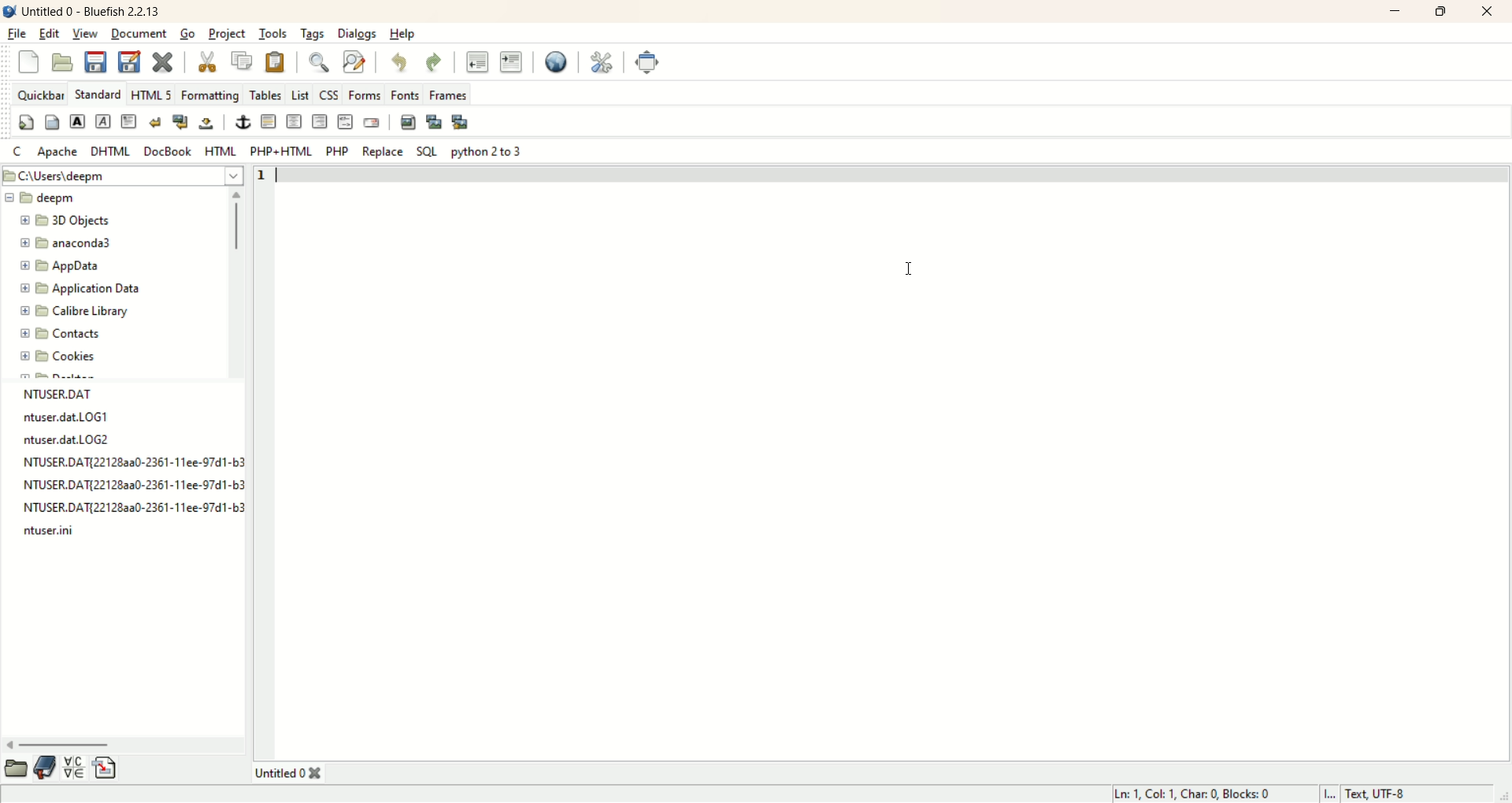 This screenshot has height=803, width=1512. What do you see at coordinates (298, 94) in the screenshot?
I see `List` at bounding box center [298, 94].